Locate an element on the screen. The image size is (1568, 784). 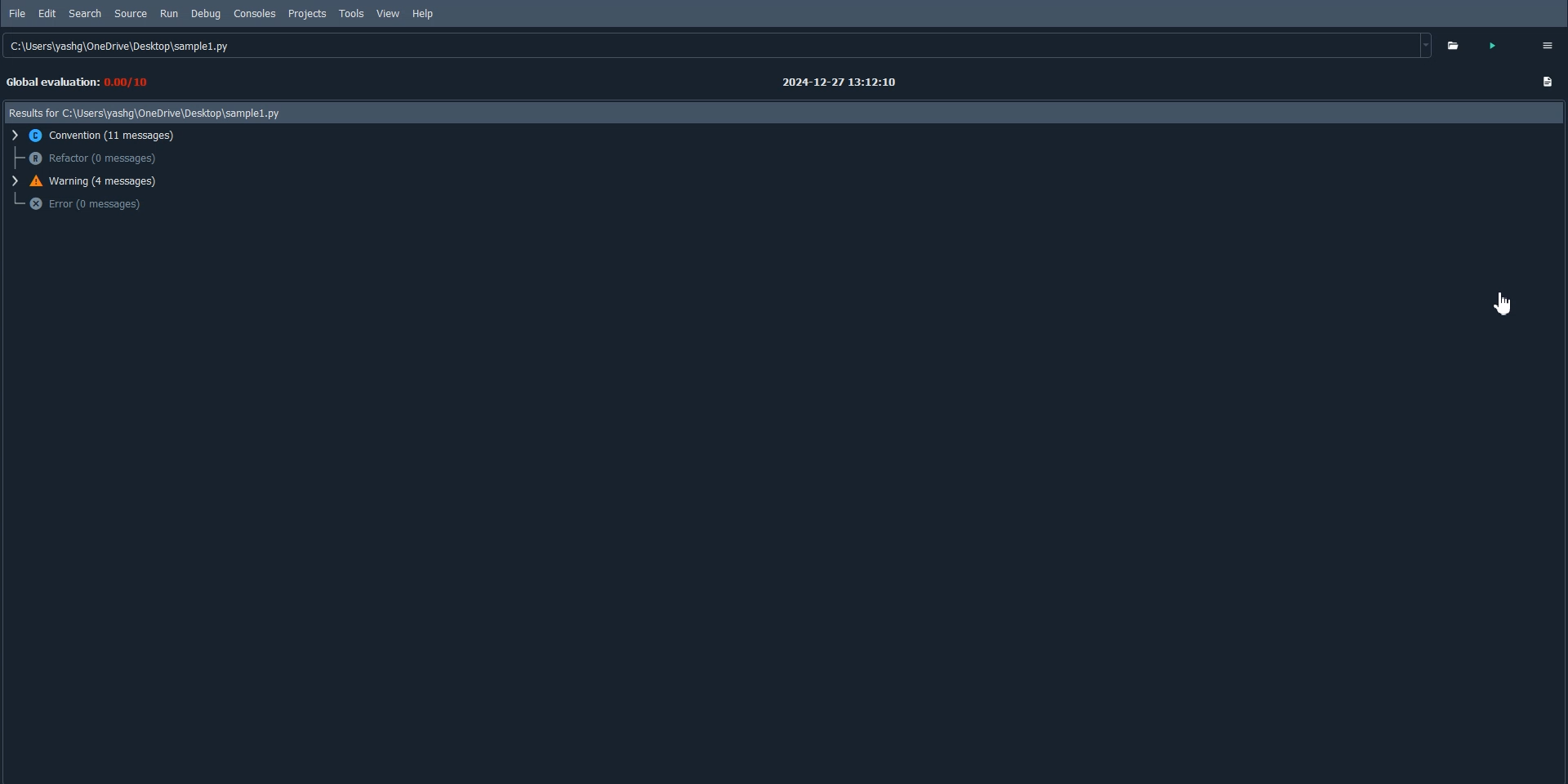
Option is located at coordinates (1547, 46).